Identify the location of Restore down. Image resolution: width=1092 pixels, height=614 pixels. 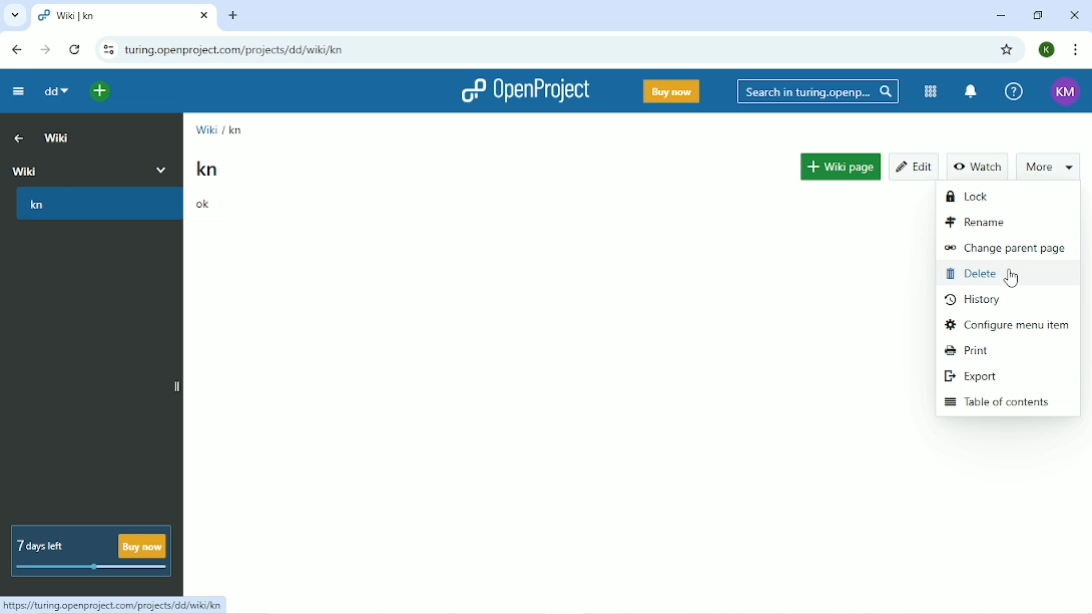
(1036, 14).